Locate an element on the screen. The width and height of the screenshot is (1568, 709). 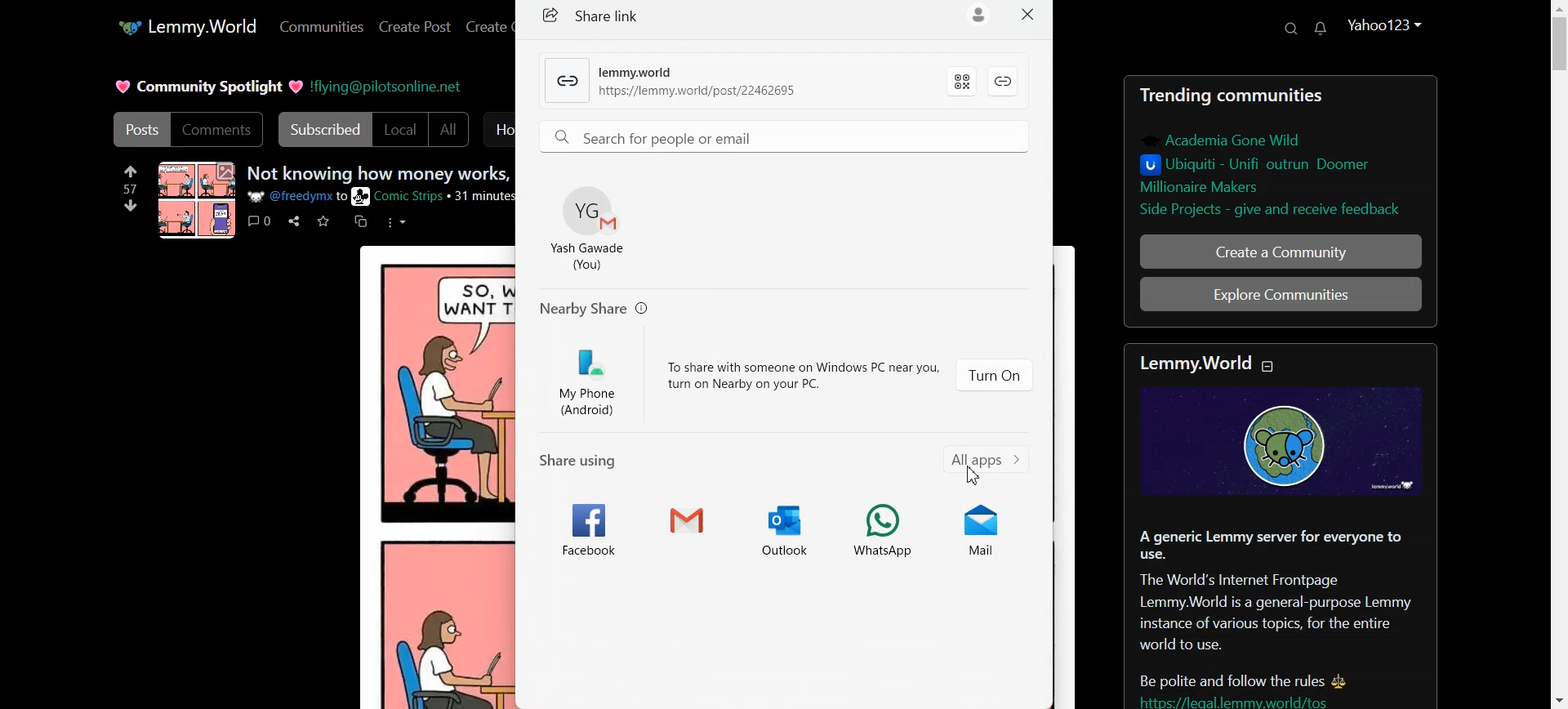
Profile is located at coordinates (978, 16).